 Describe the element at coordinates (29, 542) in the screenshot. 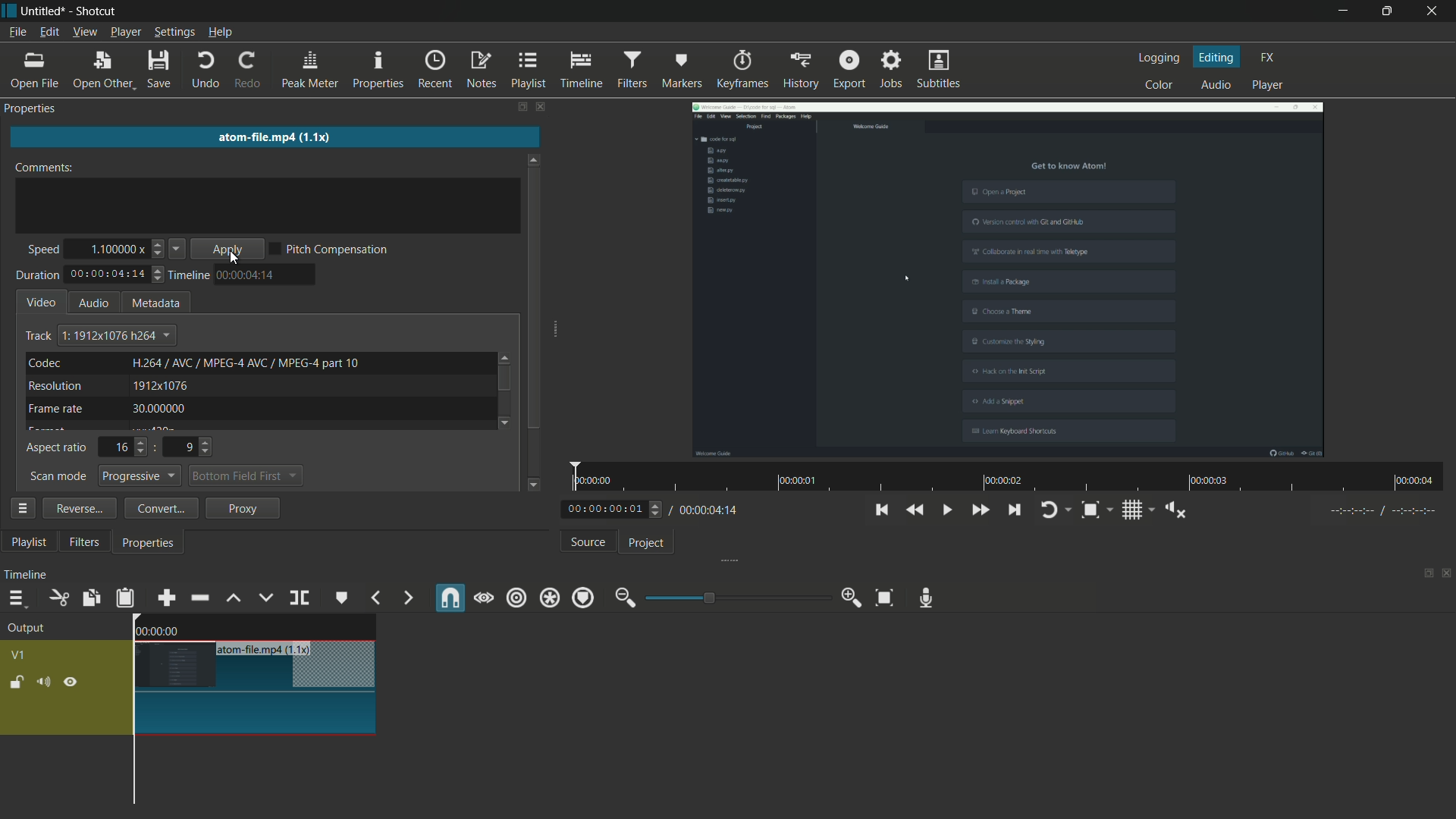

I see `playlist` at that location.